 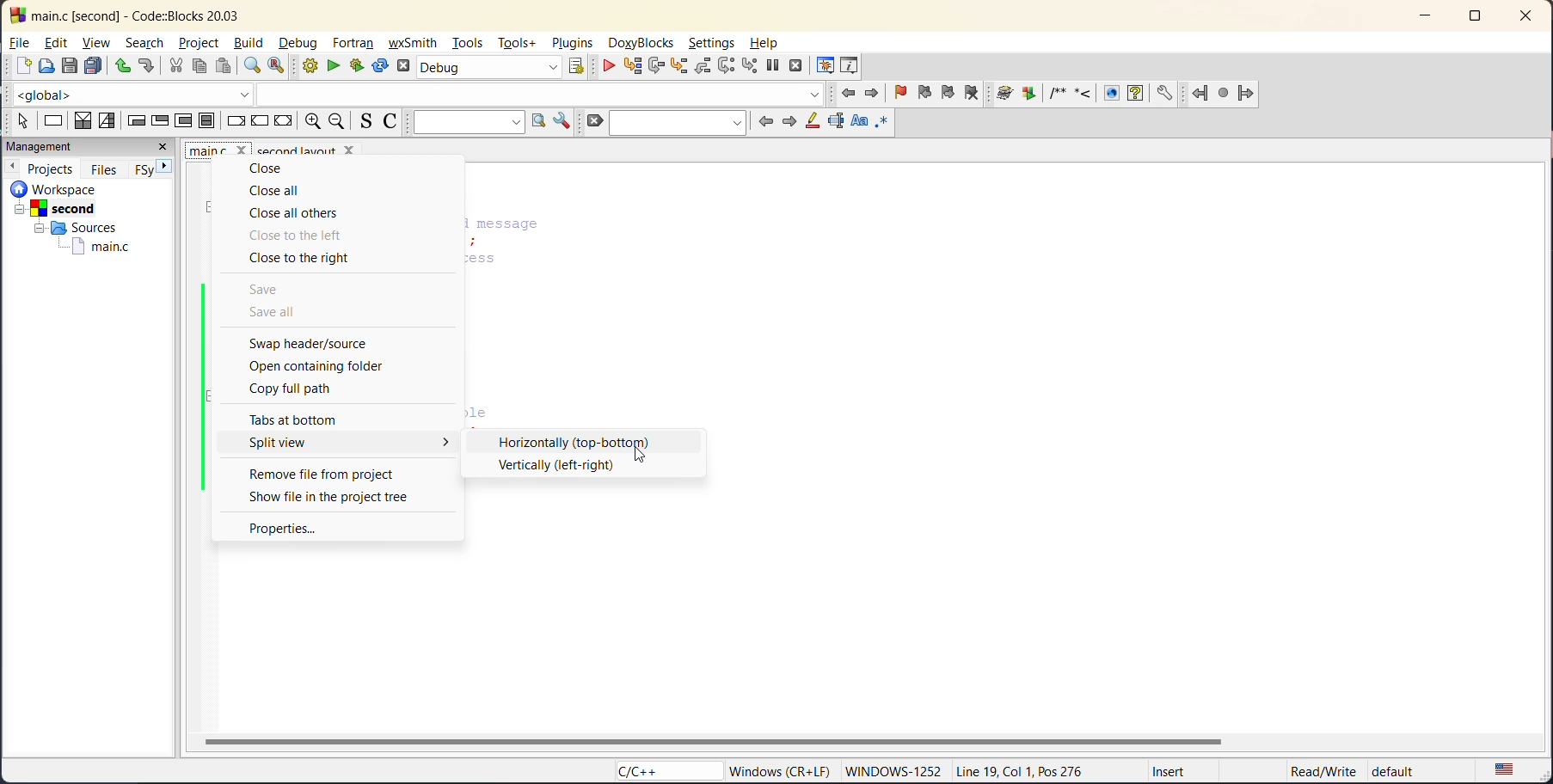 What do you see at coordinates (66, 207) in the screenshot?
I see `Second` at bounding box center [66, 207].